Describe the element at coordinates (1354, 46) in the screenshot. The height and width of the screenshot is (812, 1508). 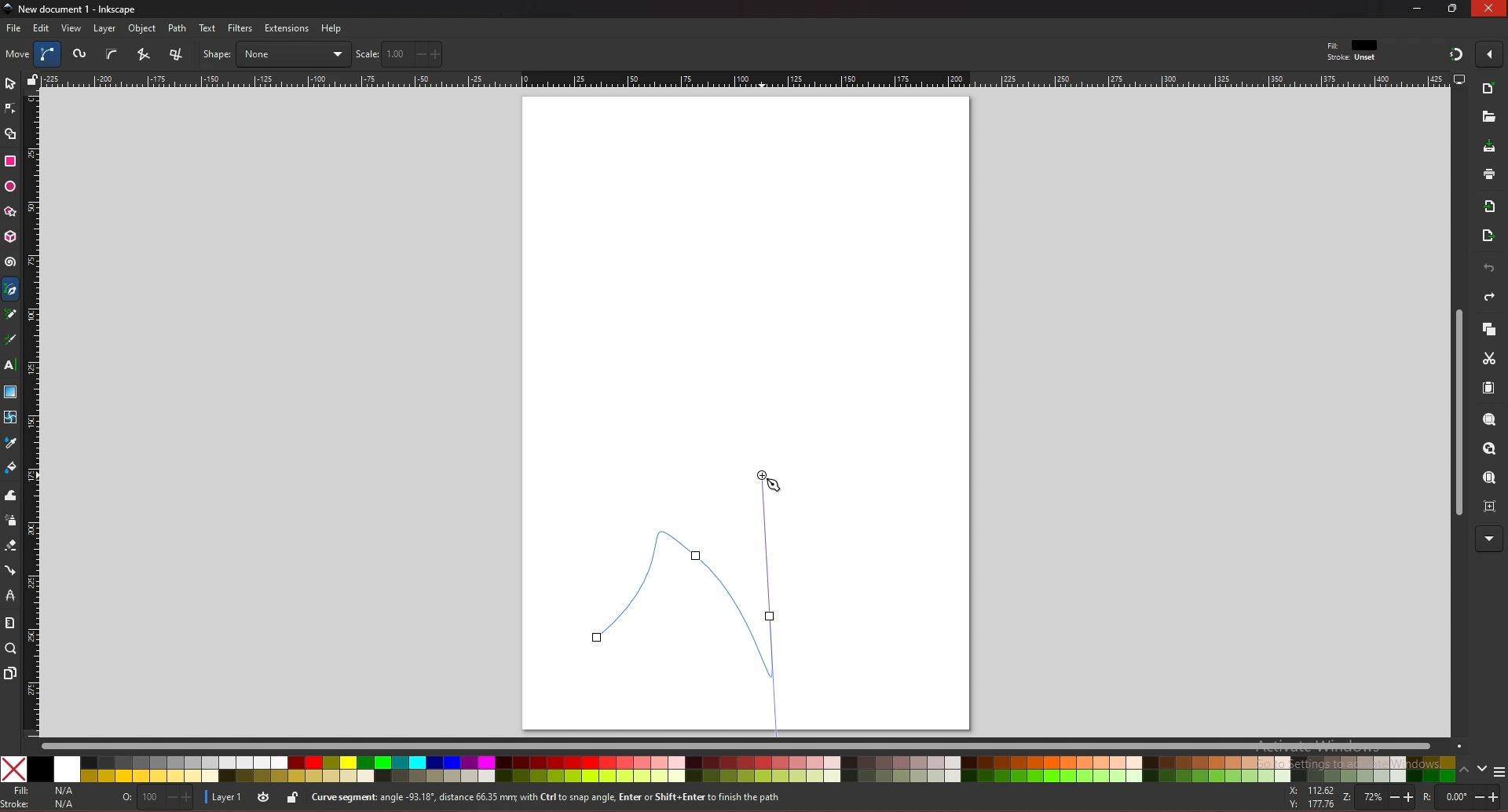
I see `fit` at that location.